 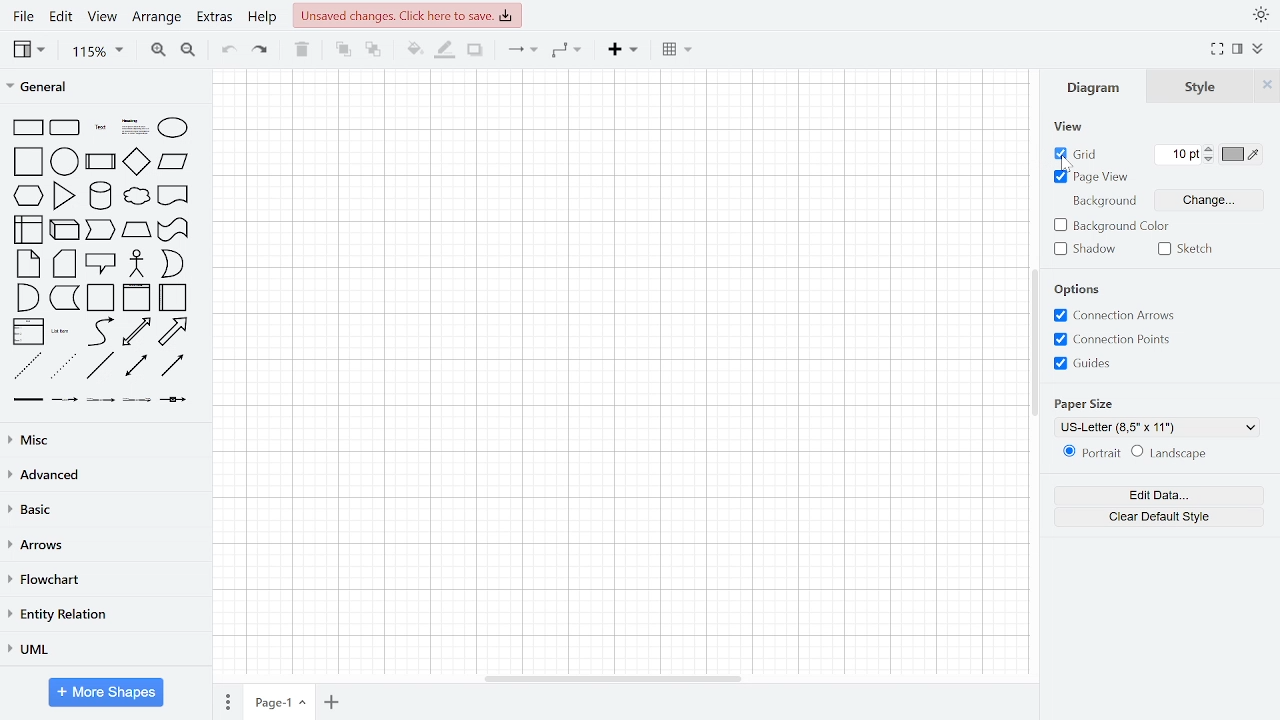 What do you see at coordinates (1080, 289) in the screenshot?
I see `options` at bounding box center [1080, 289].